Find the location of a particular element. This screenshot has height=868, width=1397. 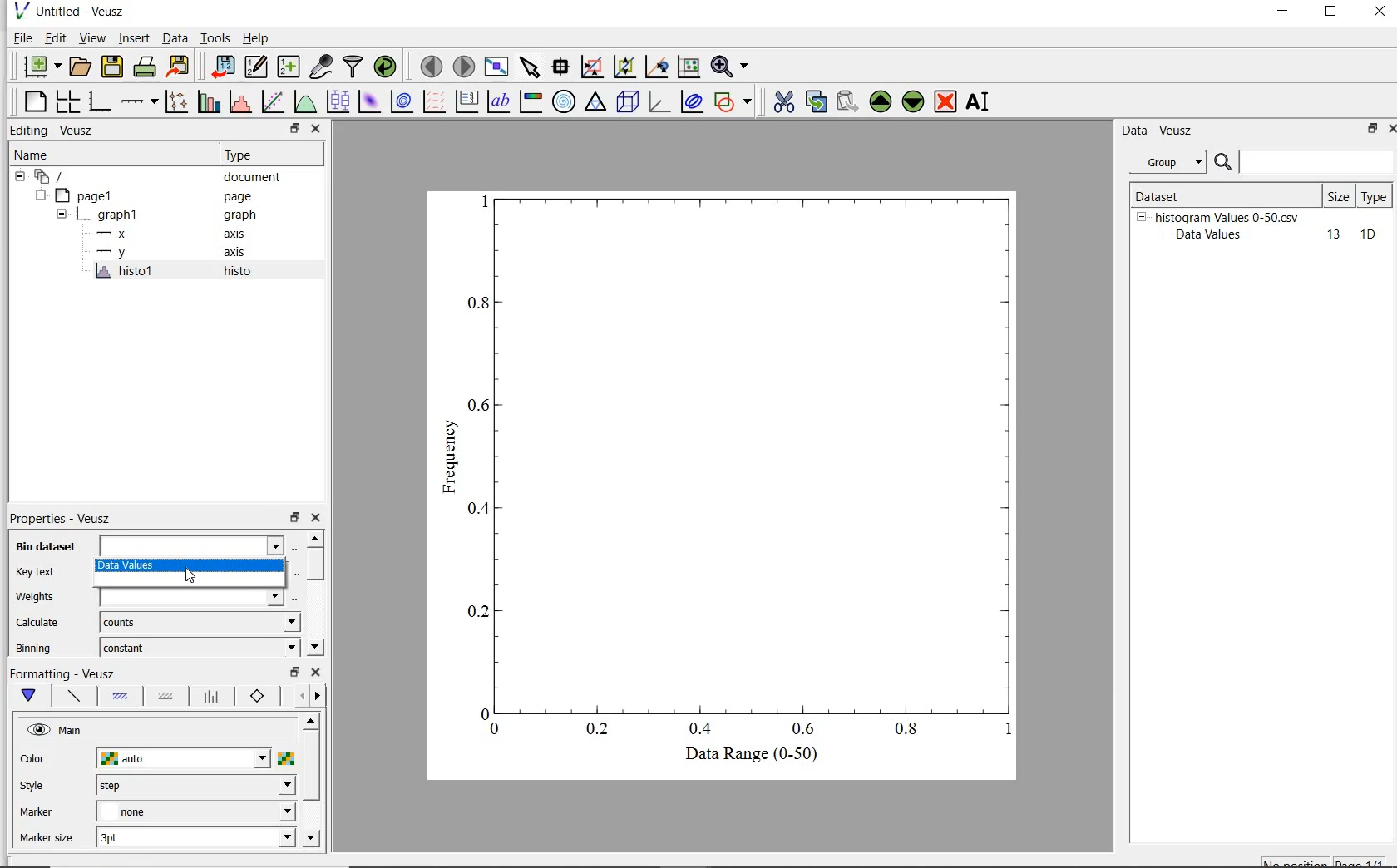

editing-veusz is located at coordinates (52, 131).